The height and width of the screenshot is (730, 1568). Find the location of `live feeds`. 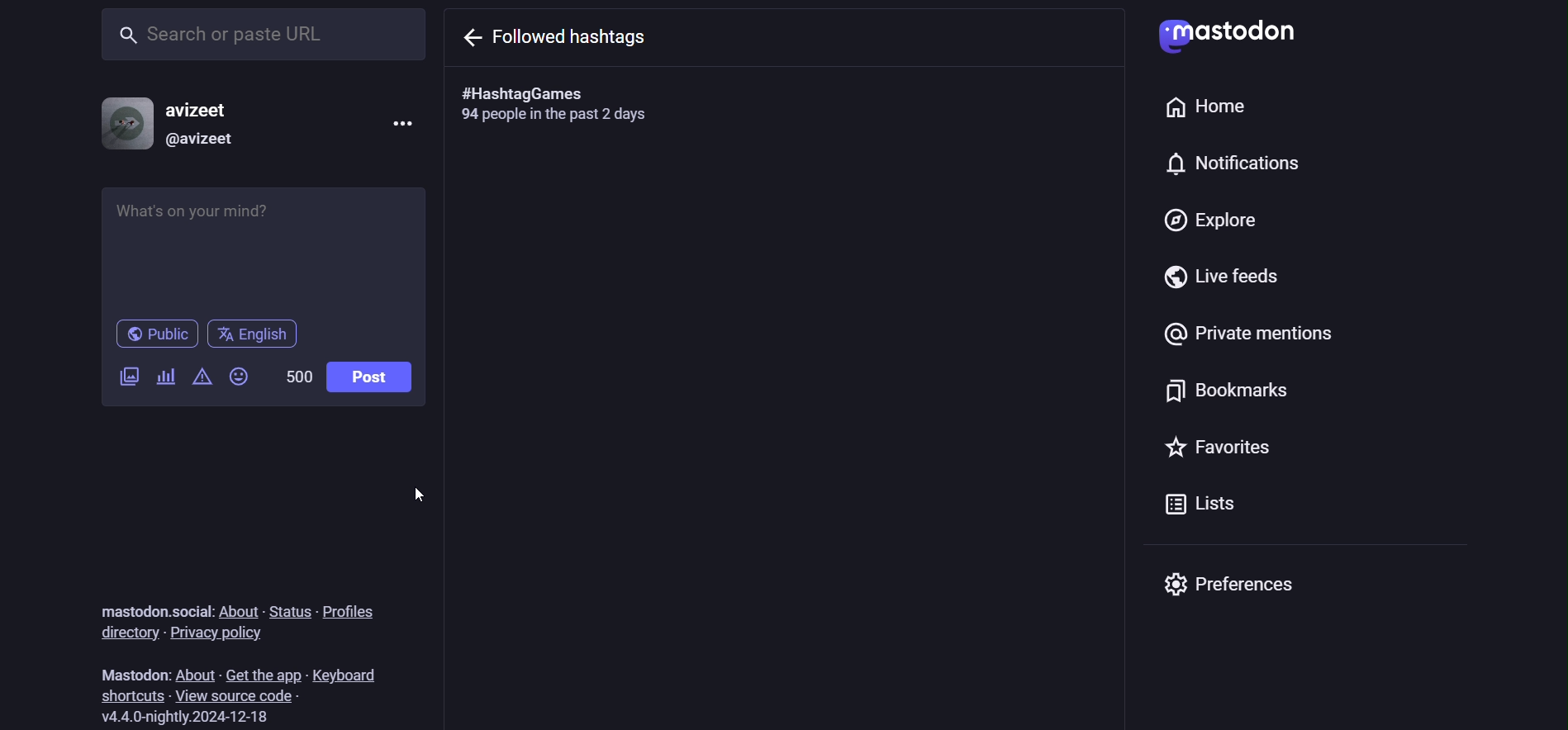

live feeds is located at coordinates (1225, 278).